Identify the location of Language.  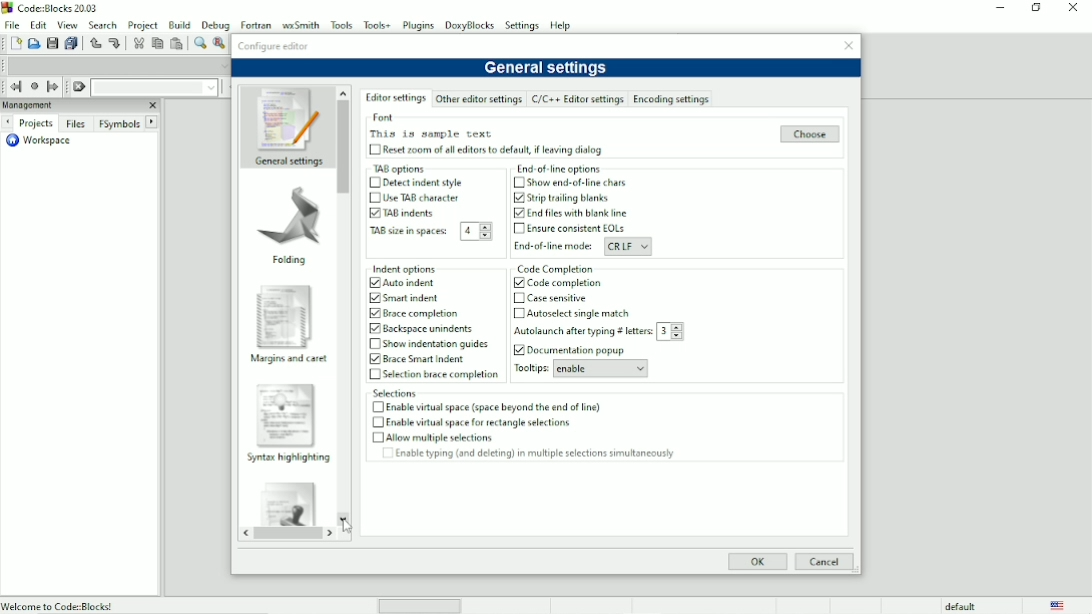
(1059, 605).